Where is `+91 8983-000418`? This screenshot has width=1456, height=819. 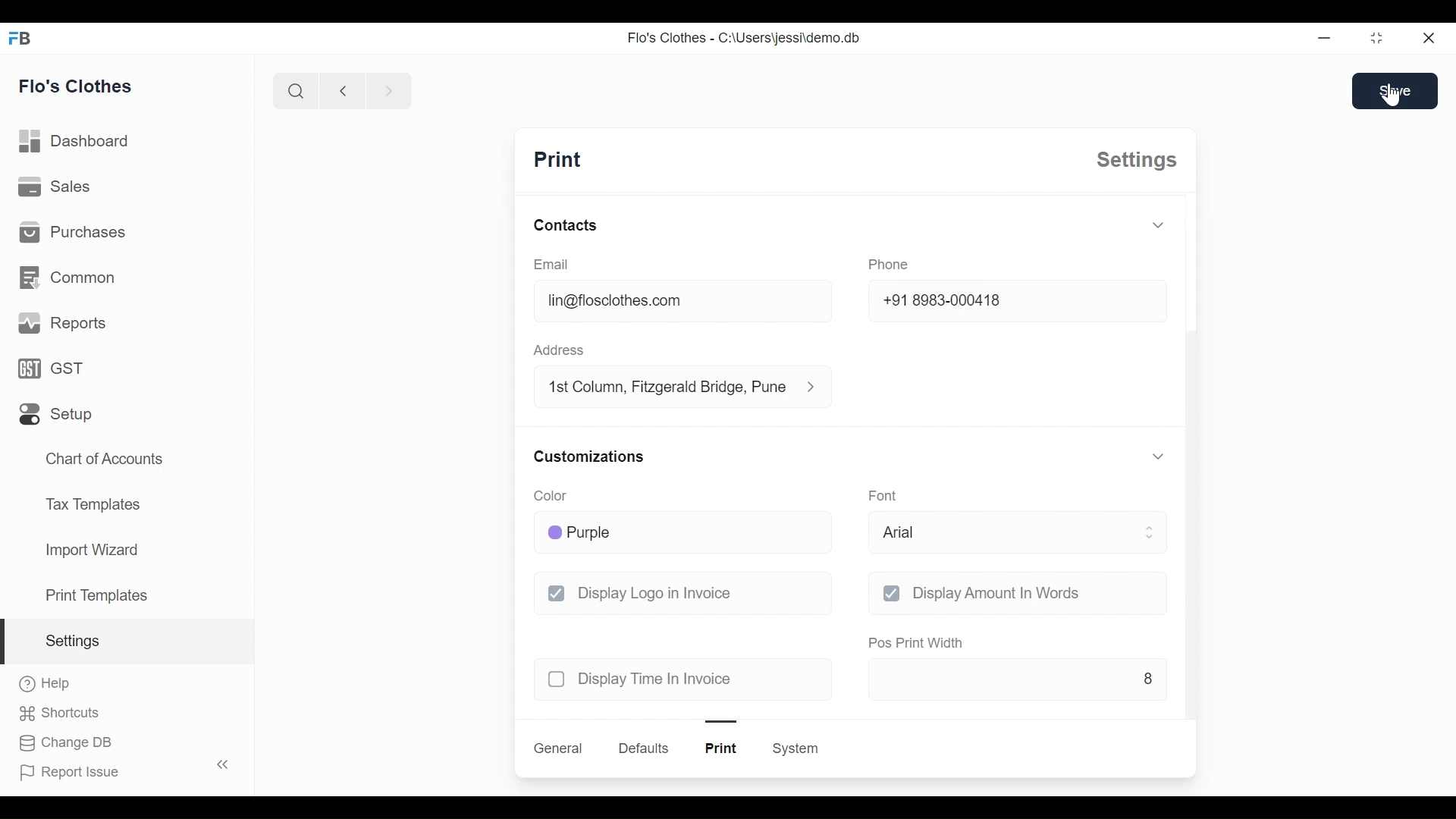
+91 8983-000418 is located at coordinates (1018, 300).